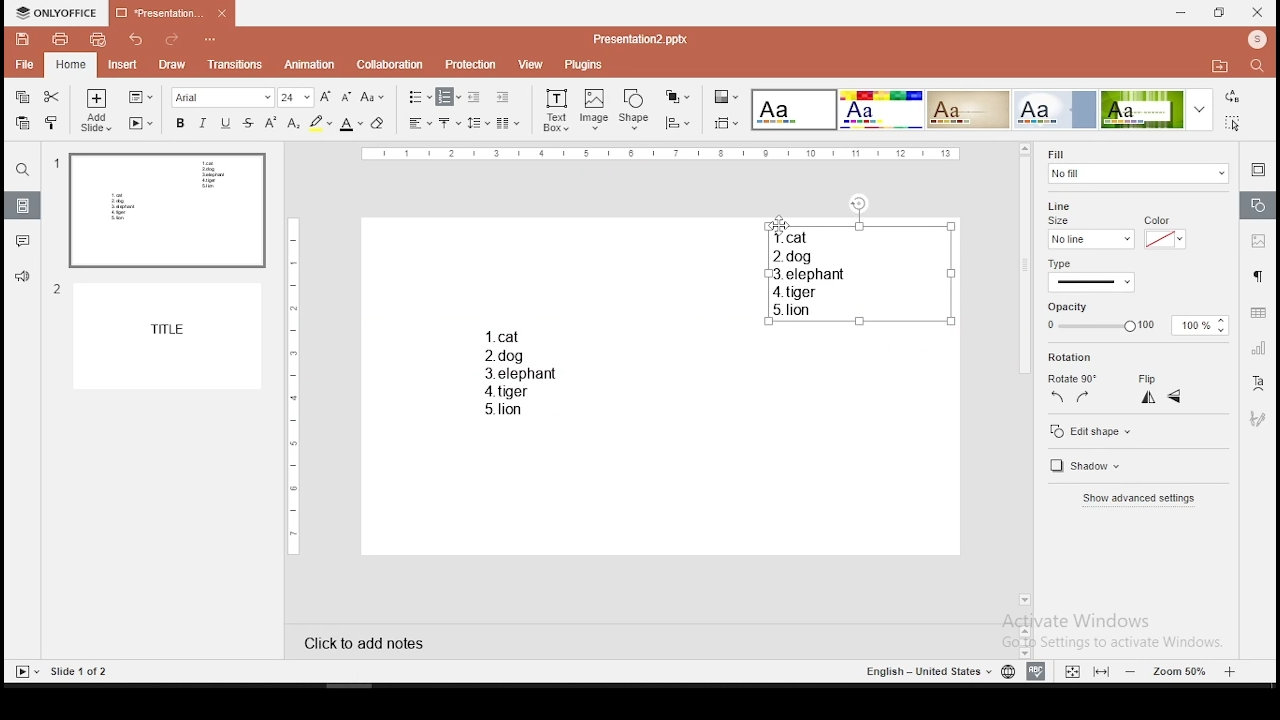 The image size is (1280, 720). What do you see at coordinates (1261, 68) in the screenshot?
I see `search` at bounding box center [1261, 68].